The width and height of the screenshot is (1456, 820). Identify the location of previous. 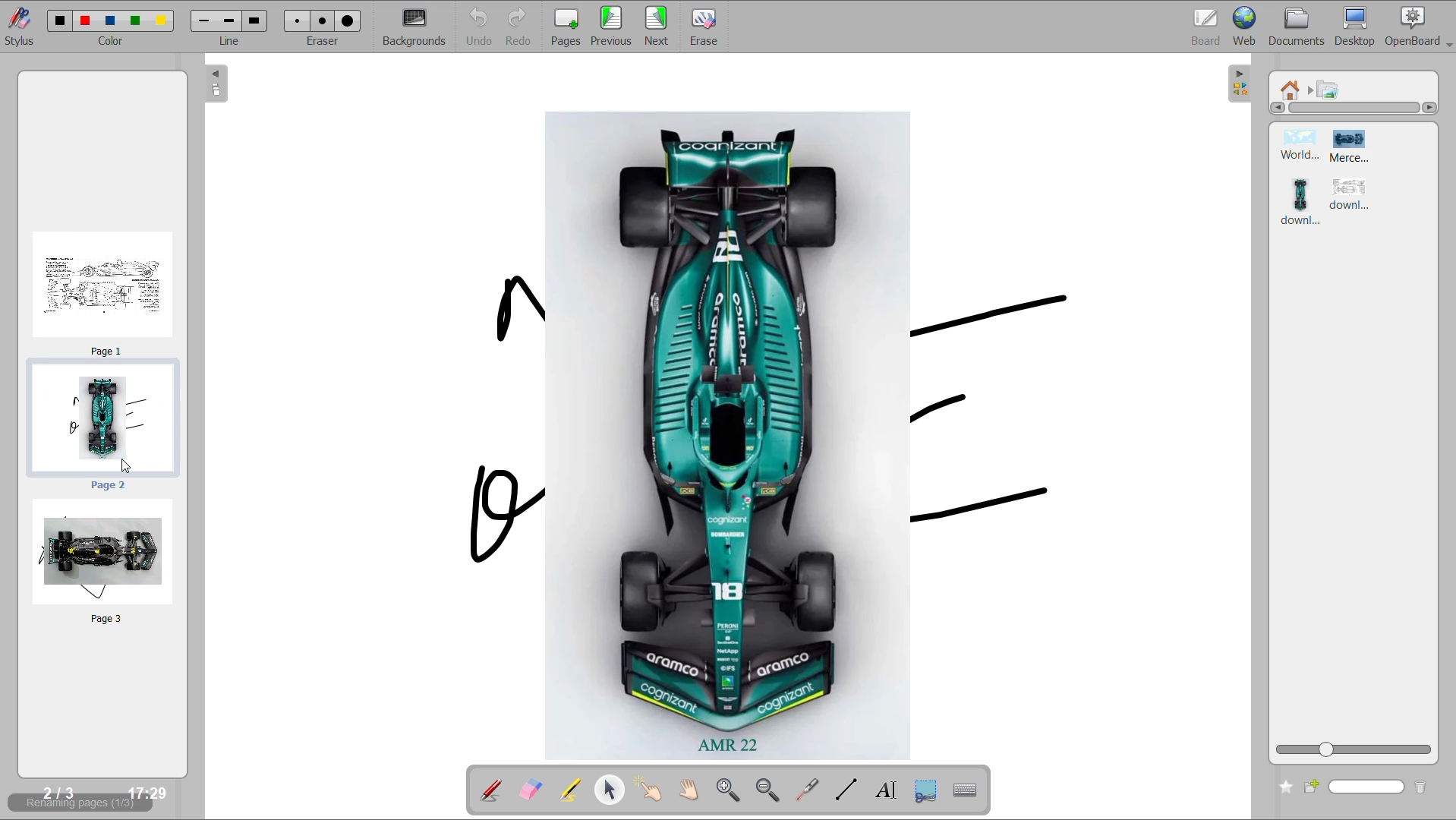
(613, 27).